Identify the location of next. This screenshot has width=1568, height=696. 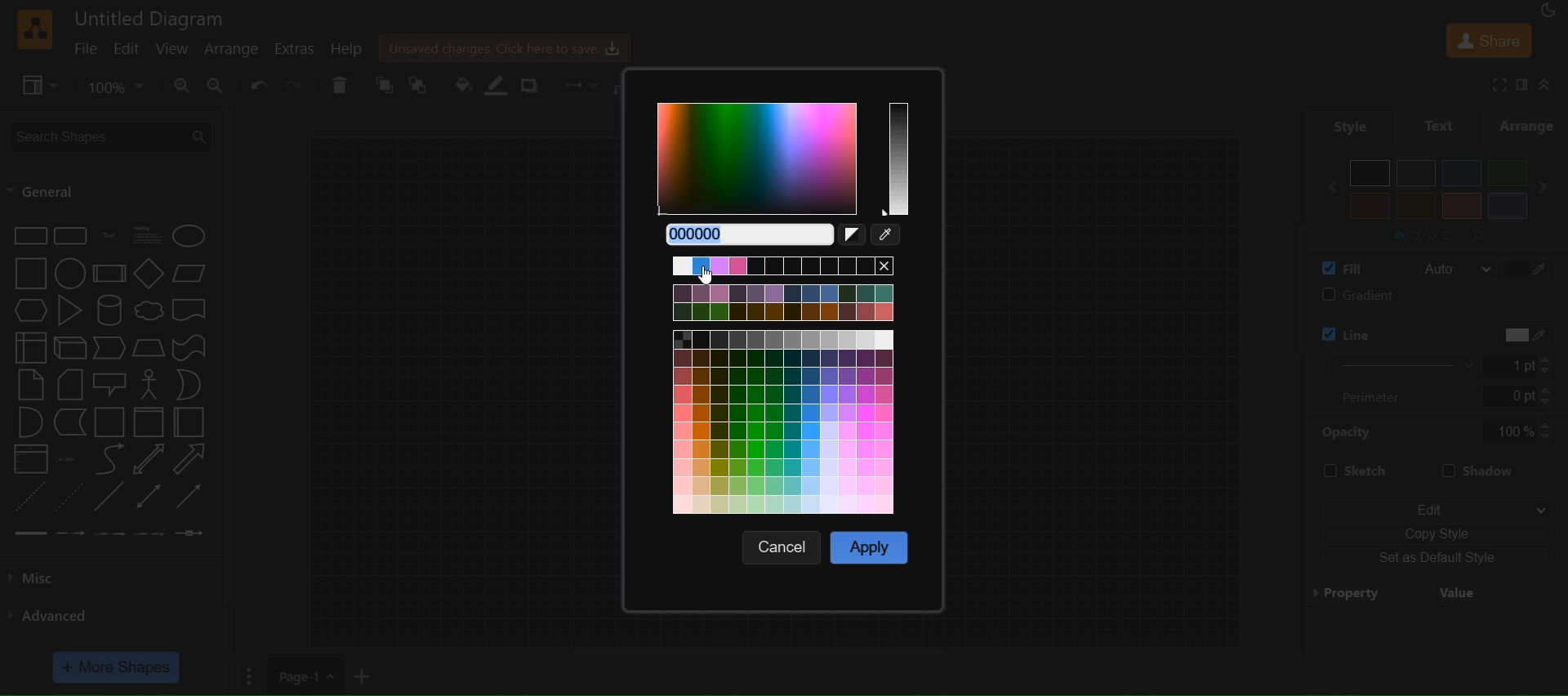
(1548, 187).